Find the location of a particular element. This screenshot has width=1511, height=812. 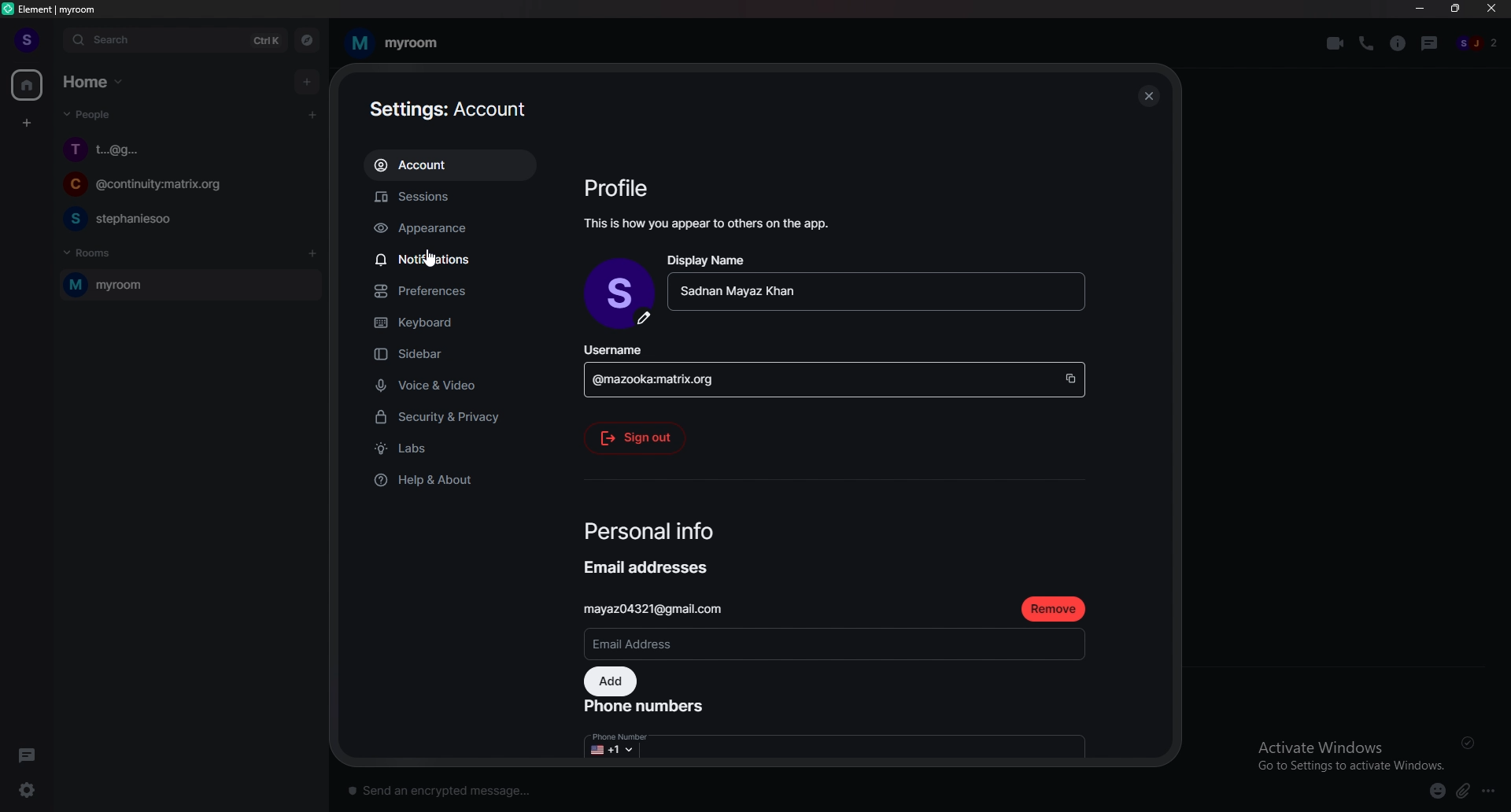

attachment is located at coordinates (1463, 792).